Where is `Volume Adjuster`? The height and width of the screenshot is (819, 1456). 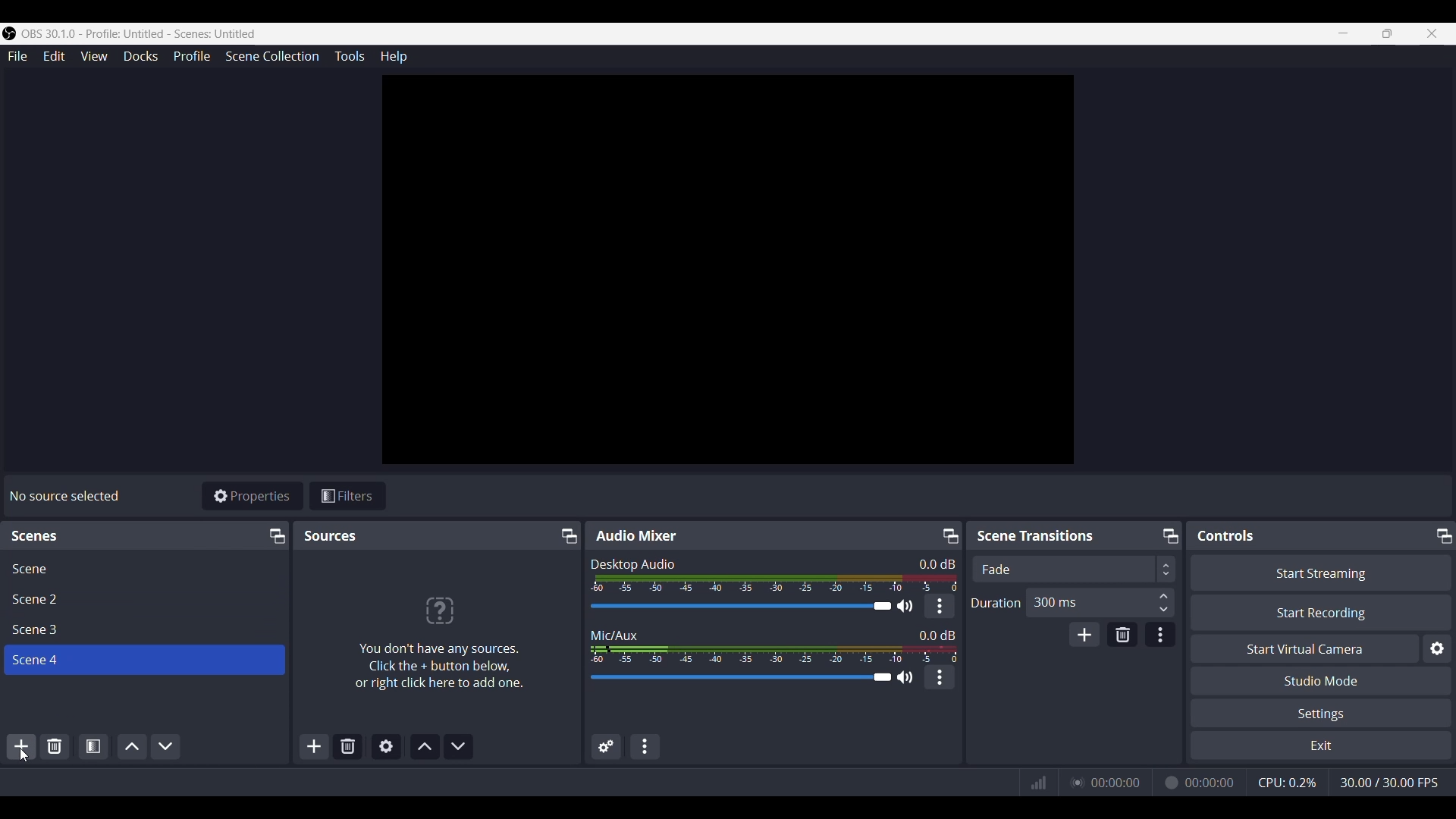 Volume Adjuster is located at coordinates (750, 607).